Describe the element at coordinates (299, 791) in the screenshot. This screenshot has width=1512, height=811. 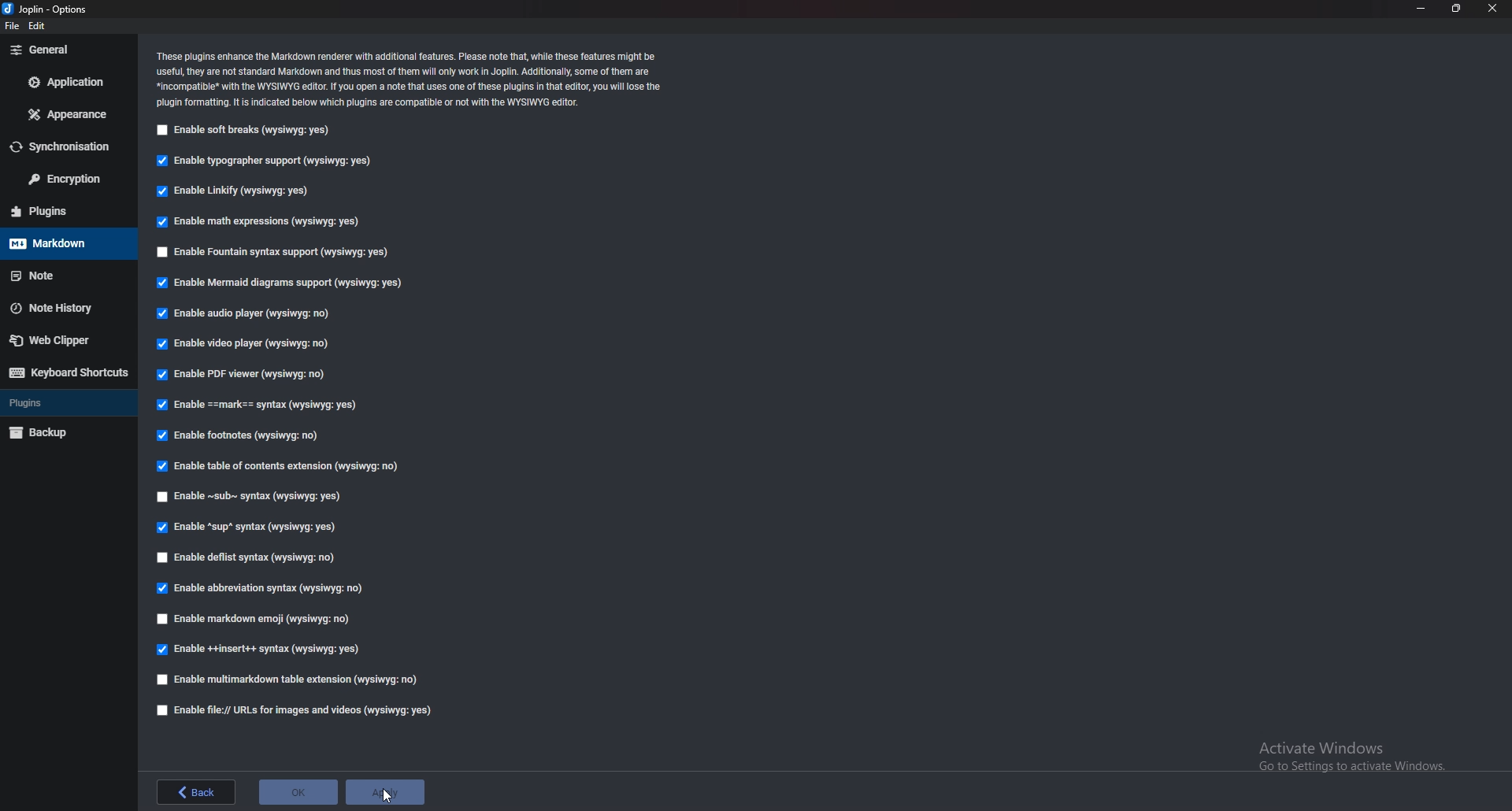
I see `ok` at that location.